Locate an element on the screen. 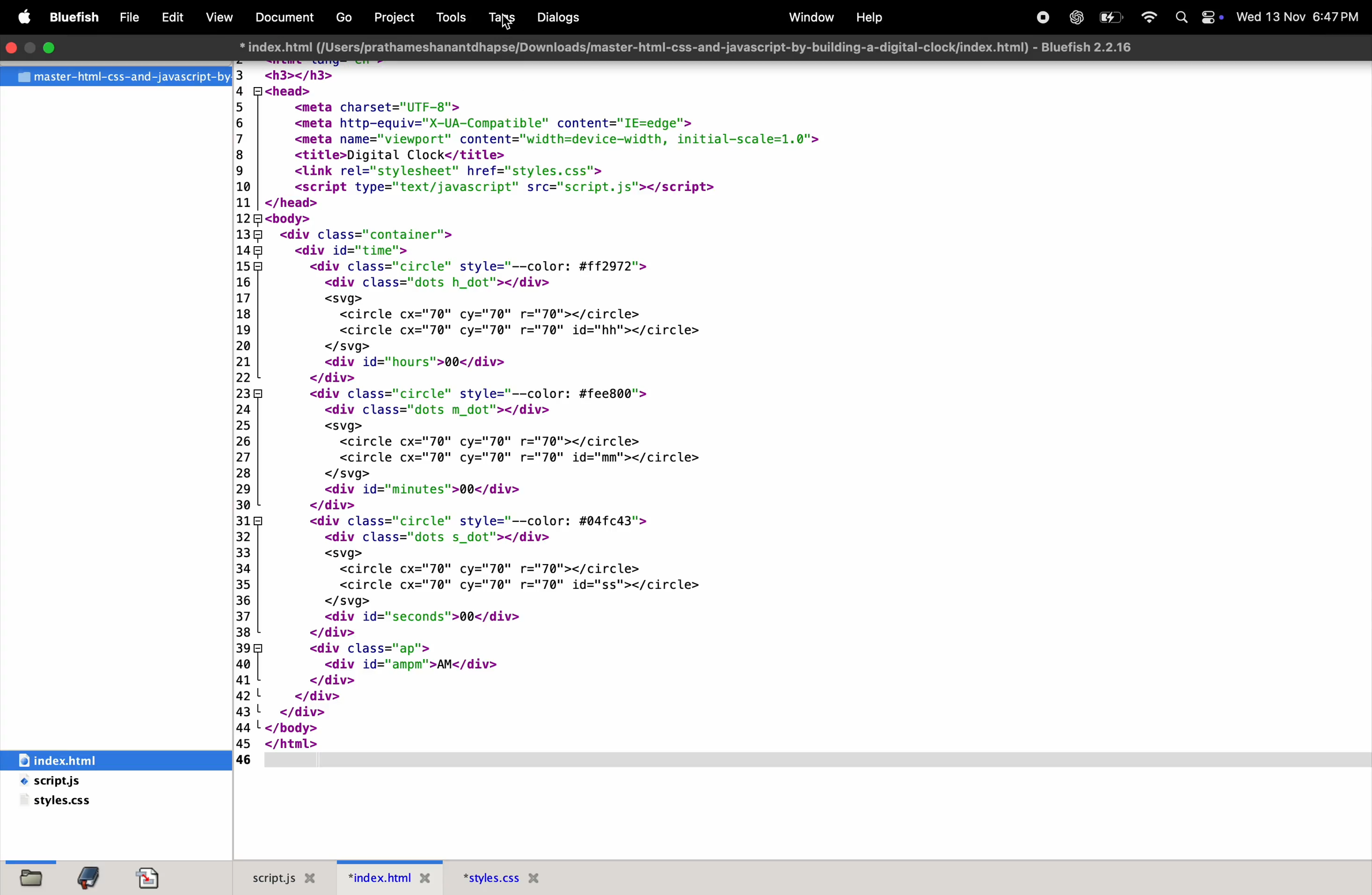  Close file is located at coordinates (425, 880).